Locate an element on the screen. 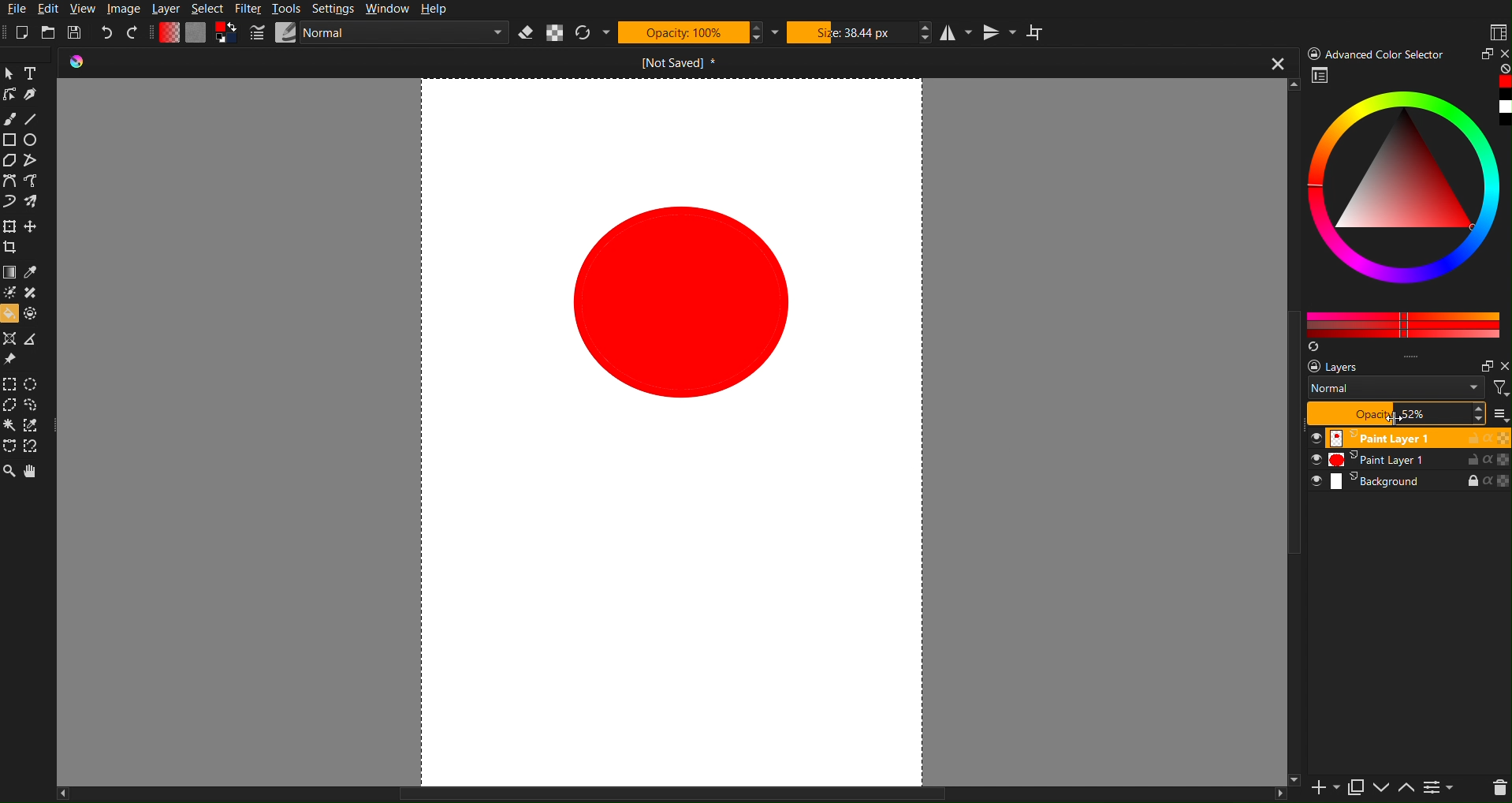  Move Layer is located at coordinates (32, 227).